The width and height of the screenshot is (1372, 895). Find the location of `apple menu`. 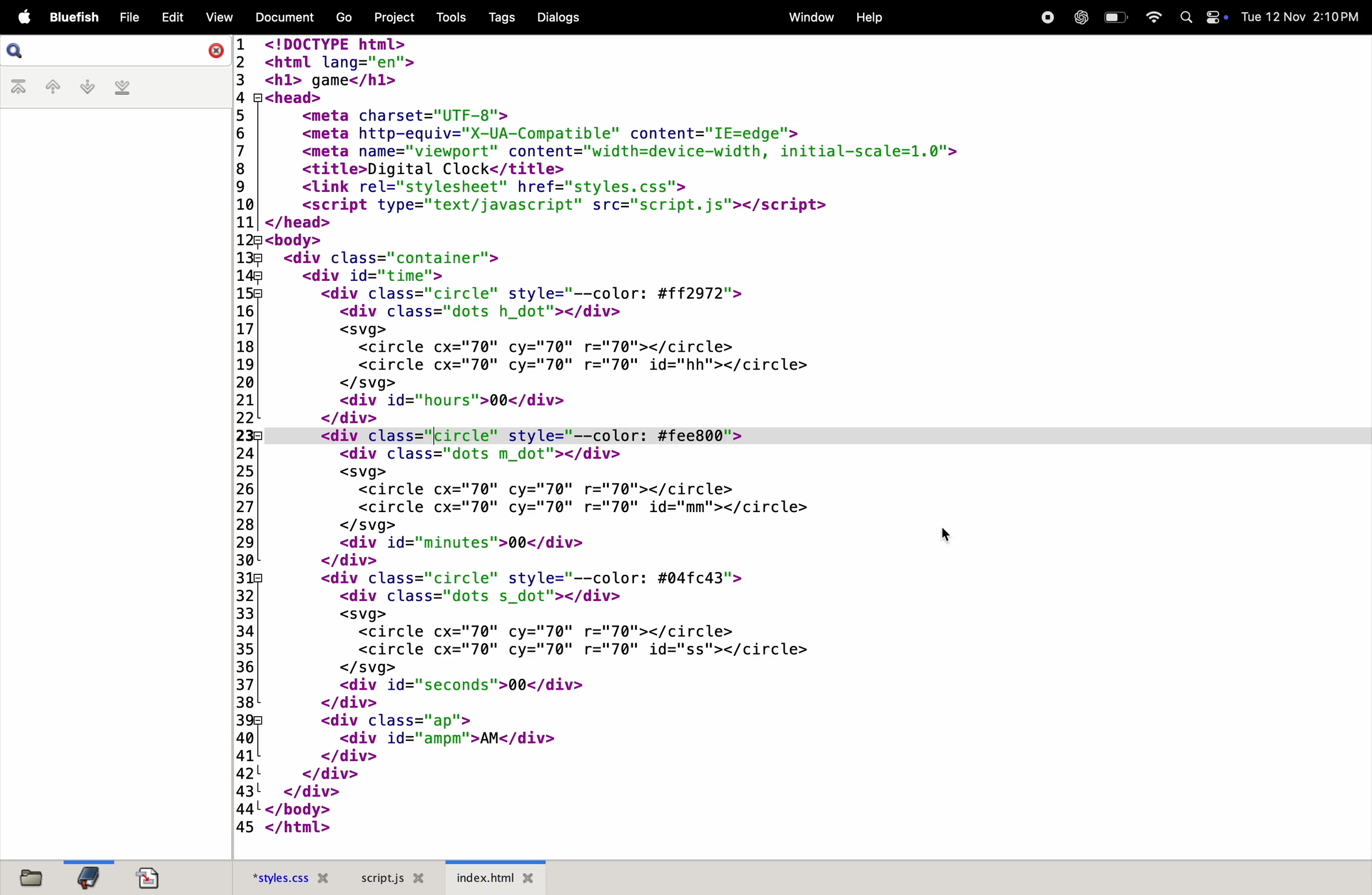

apple menu is located at coordinates (24, 17).